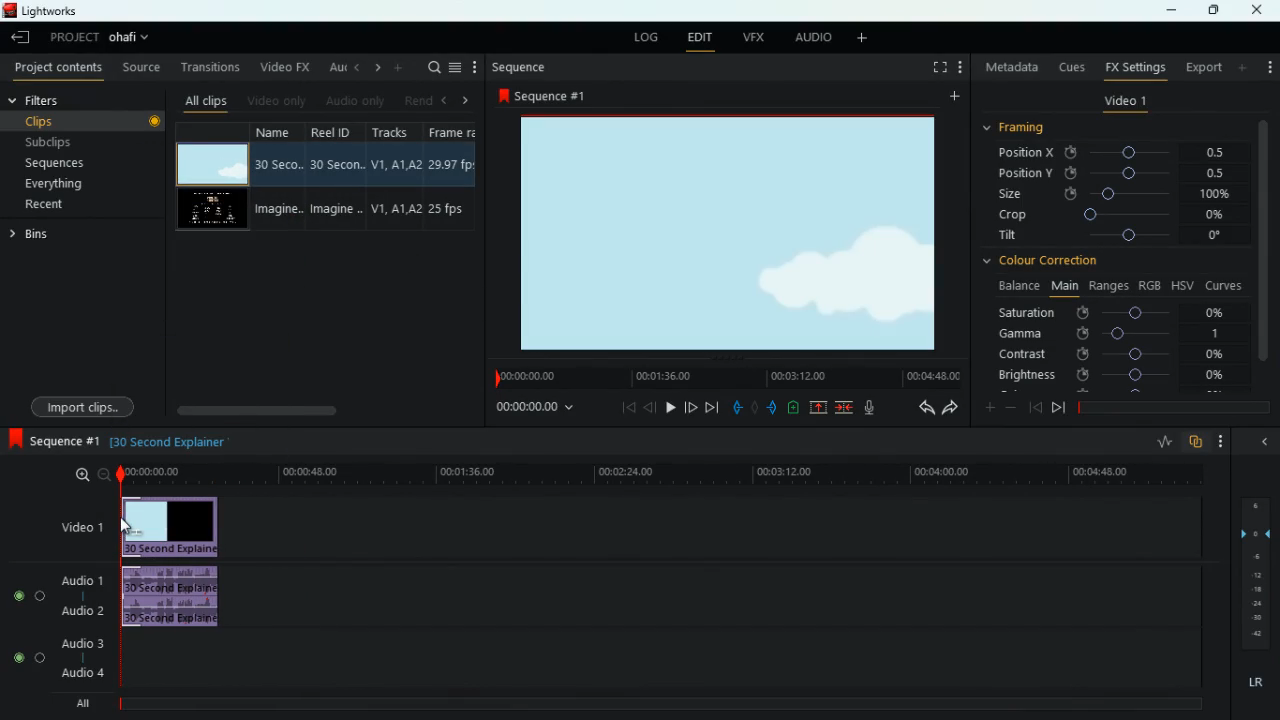 This screenshot has height=720, width=1280. I want to click on battery, so click(793, 409).